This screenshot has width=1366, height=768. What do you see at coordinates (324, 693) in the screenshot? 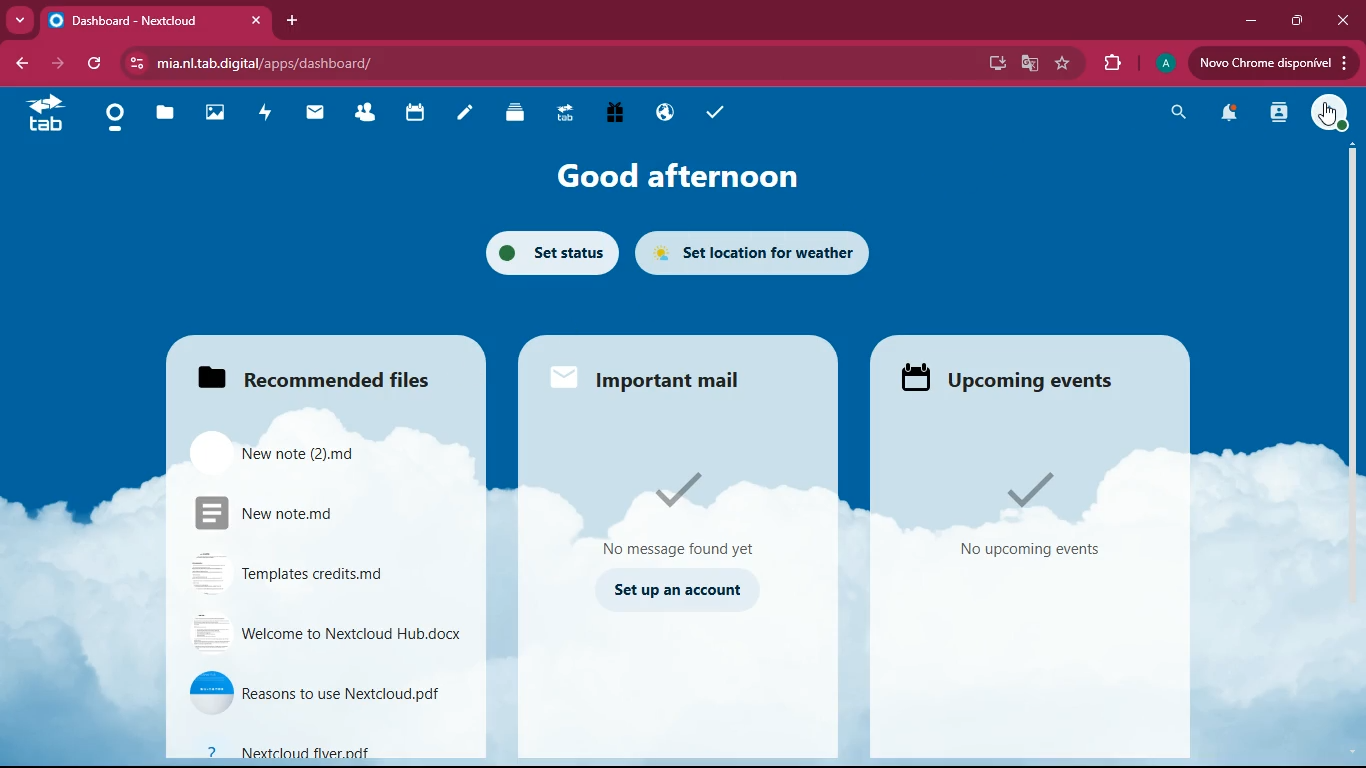
I see `file` at bounding box center [324, 693].